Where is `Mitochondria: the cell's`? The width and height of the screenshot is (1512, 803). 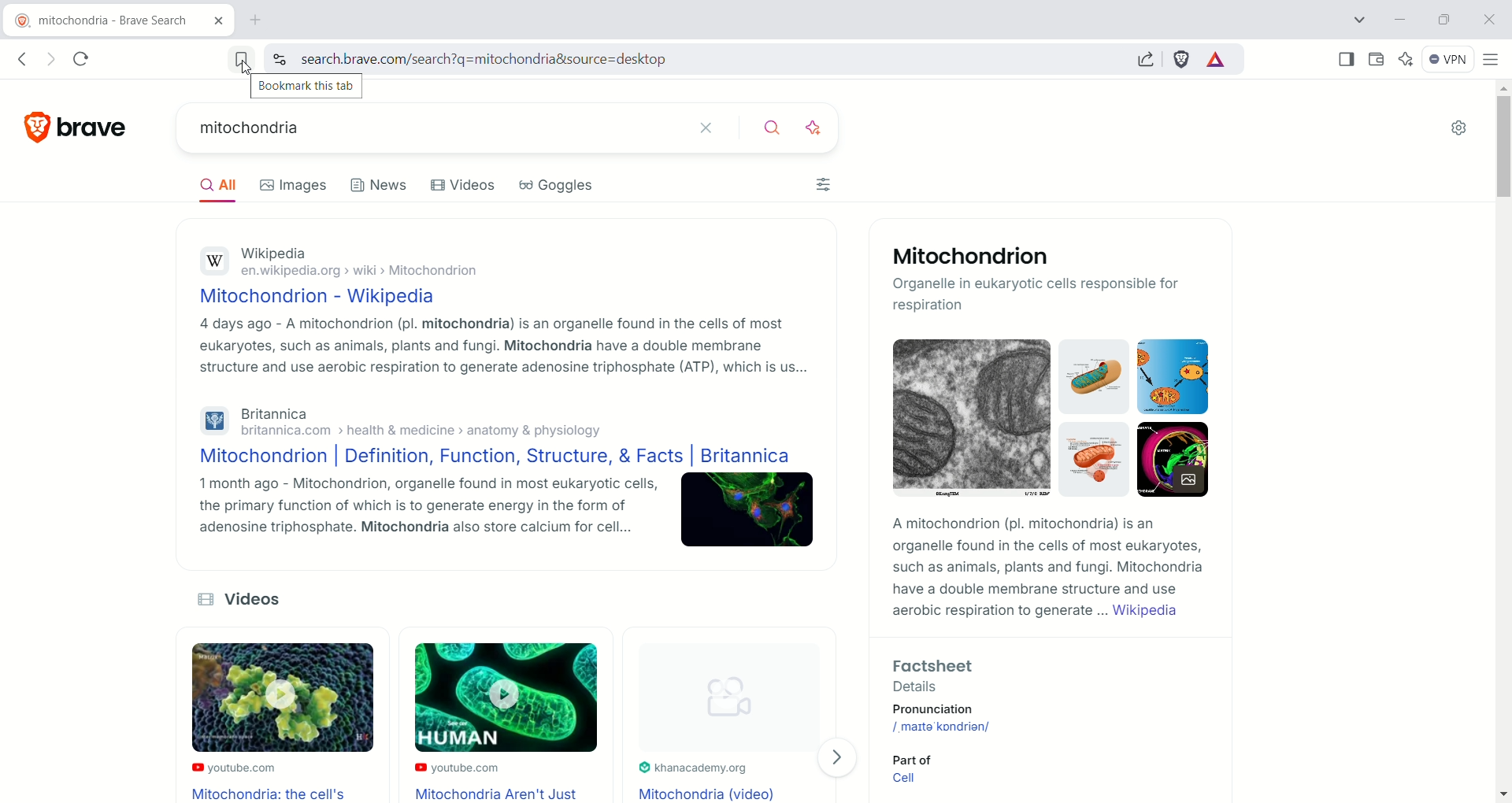 Mitochondria: the cell's is located at coordinates (272, 794).